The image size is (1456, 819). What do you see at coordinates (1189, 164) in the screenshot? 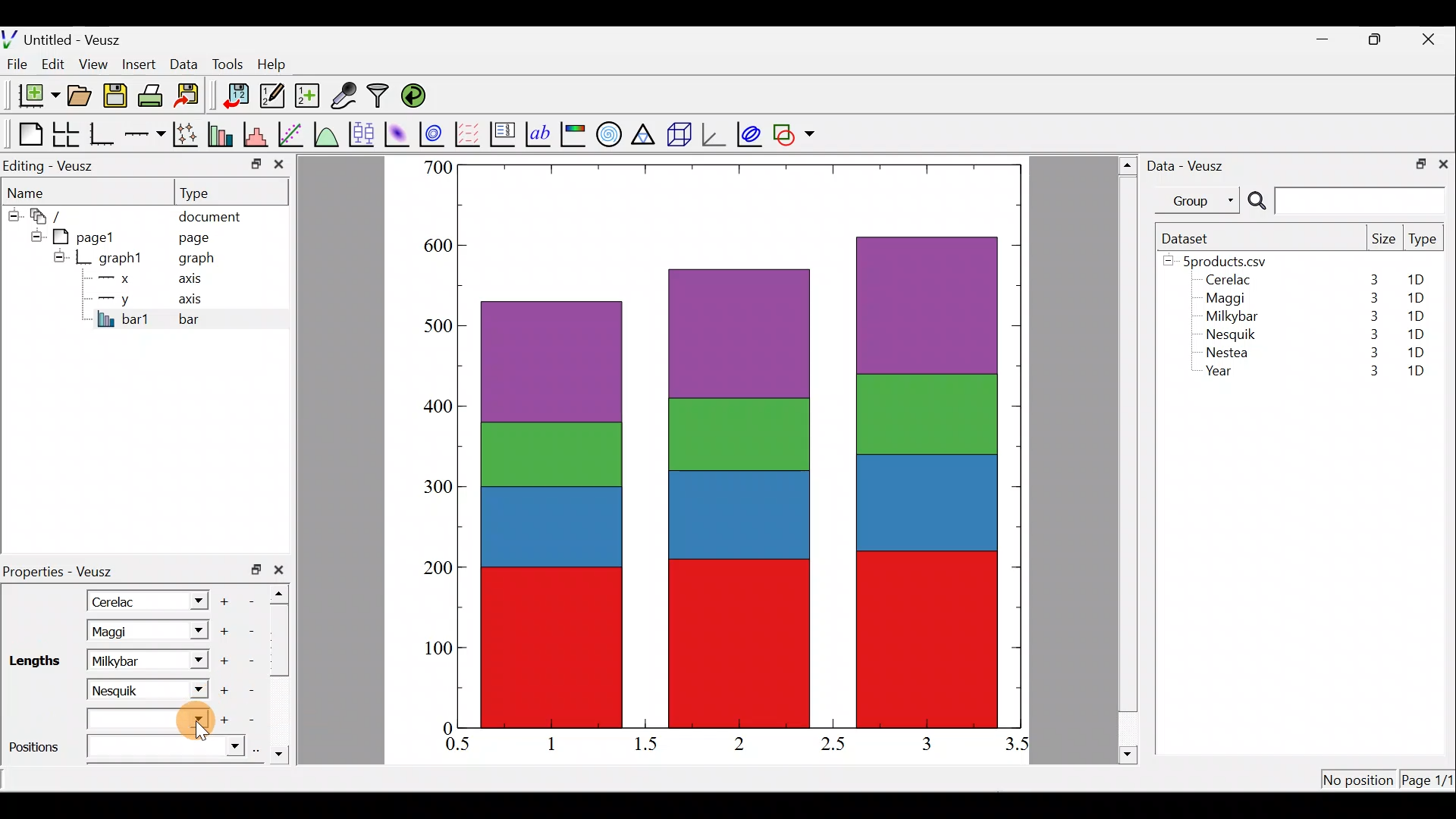
I see `Data - Veusz` at bounding box center [1189, 164].